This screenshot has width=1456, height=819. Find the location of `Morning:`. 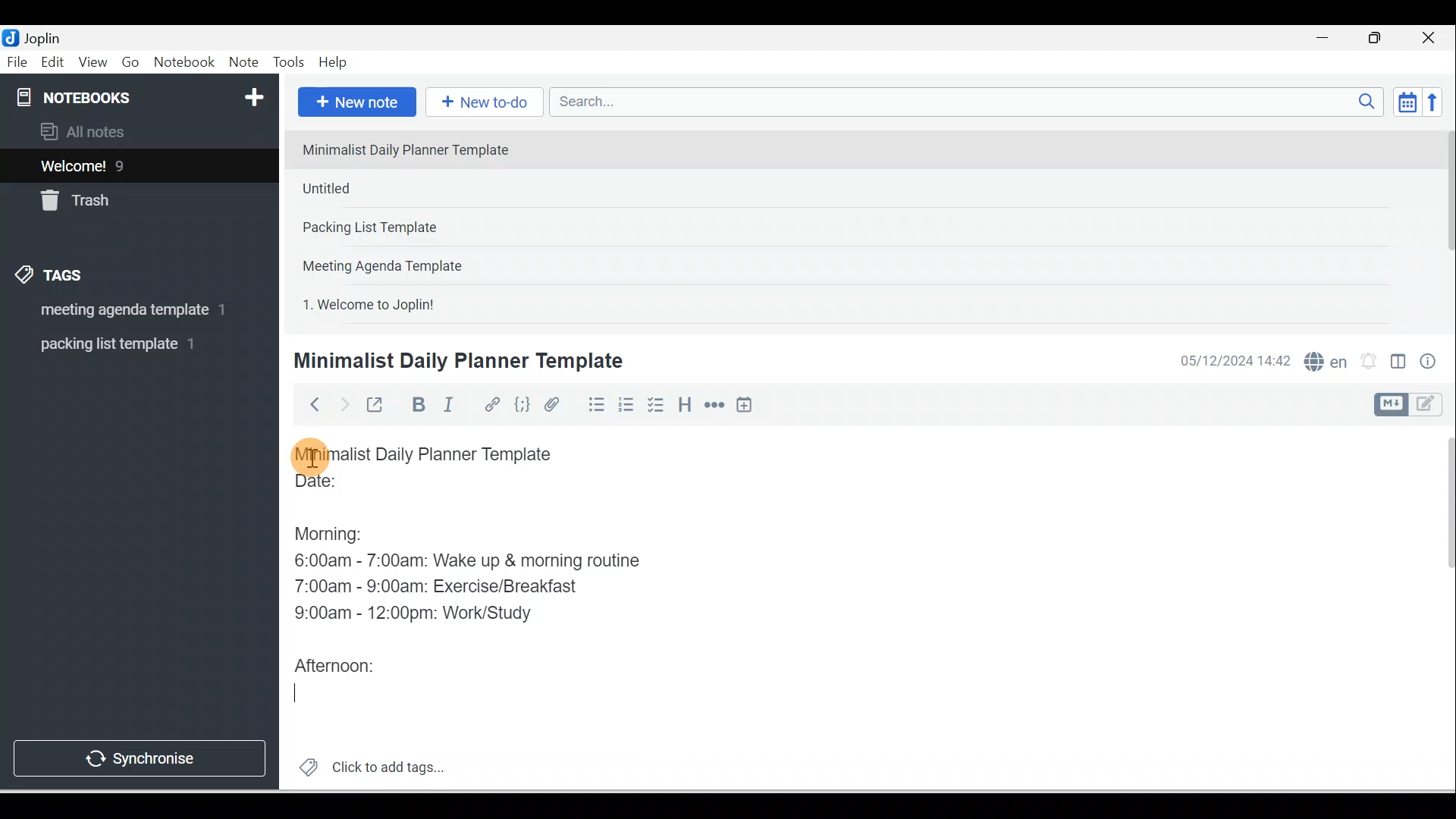

Morning: is located at coordinates (340, 530).